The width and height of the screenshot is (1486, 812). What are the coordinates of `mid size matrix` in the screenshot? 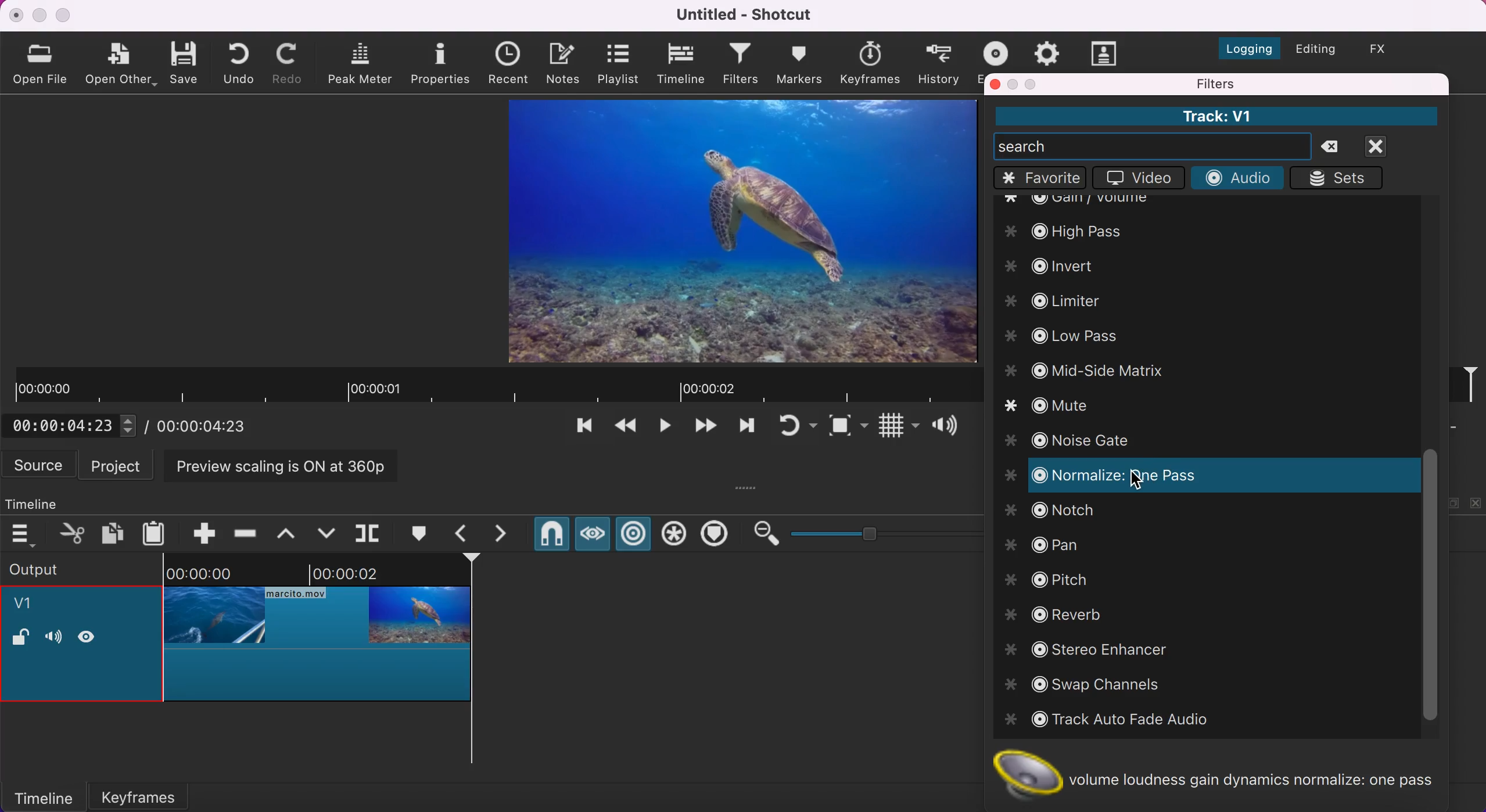 It's located at (1085, 369).